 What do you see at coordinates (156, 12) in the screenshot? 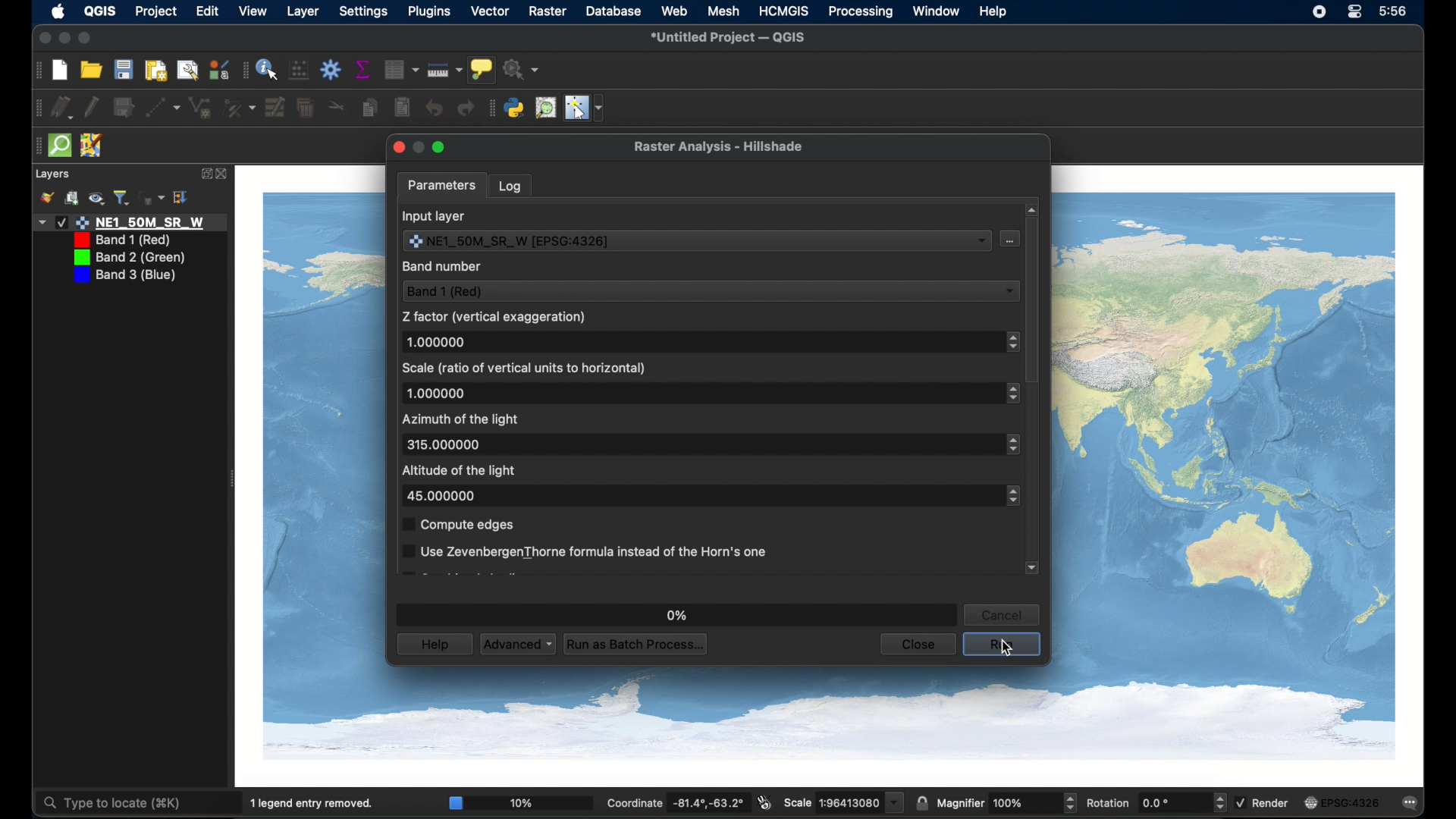
I see `project` at bounding box center [156, 12].